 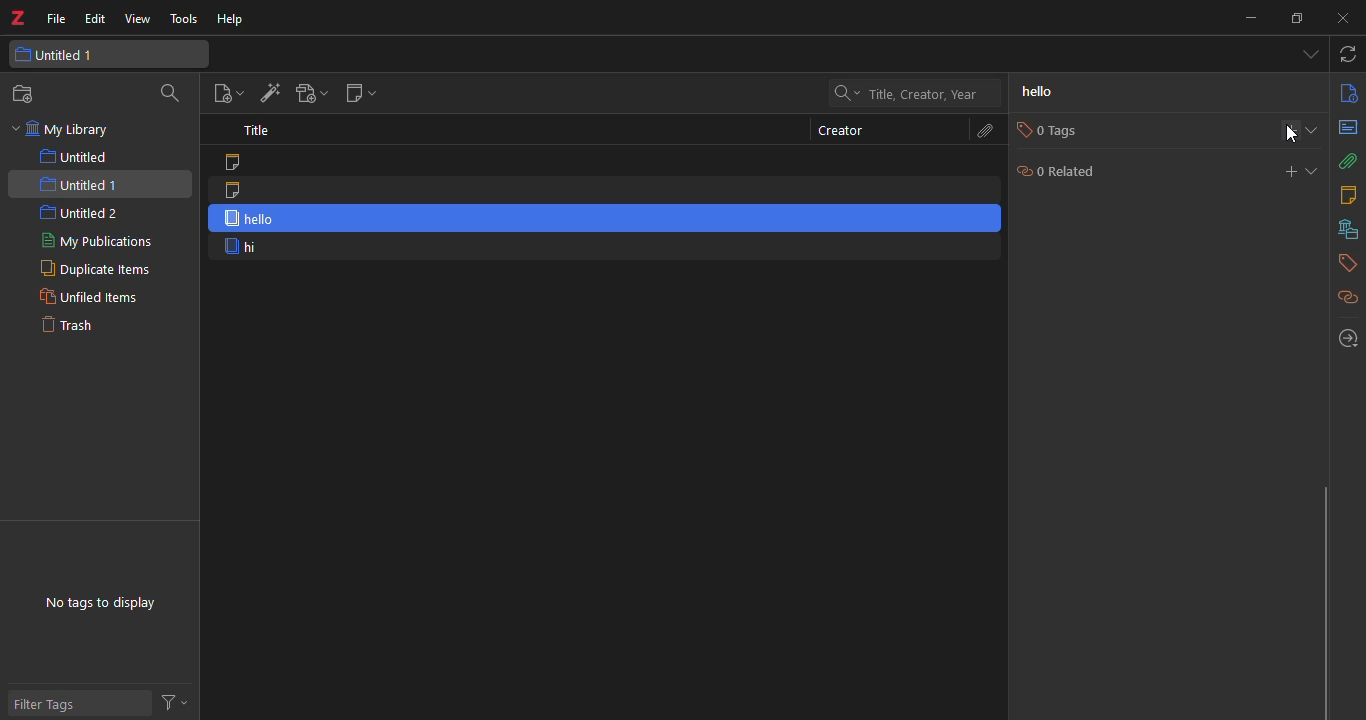 What do you see at coordinates (74, 157) in the screenshot?
I see `untitled` at bounding box center [74, 157].